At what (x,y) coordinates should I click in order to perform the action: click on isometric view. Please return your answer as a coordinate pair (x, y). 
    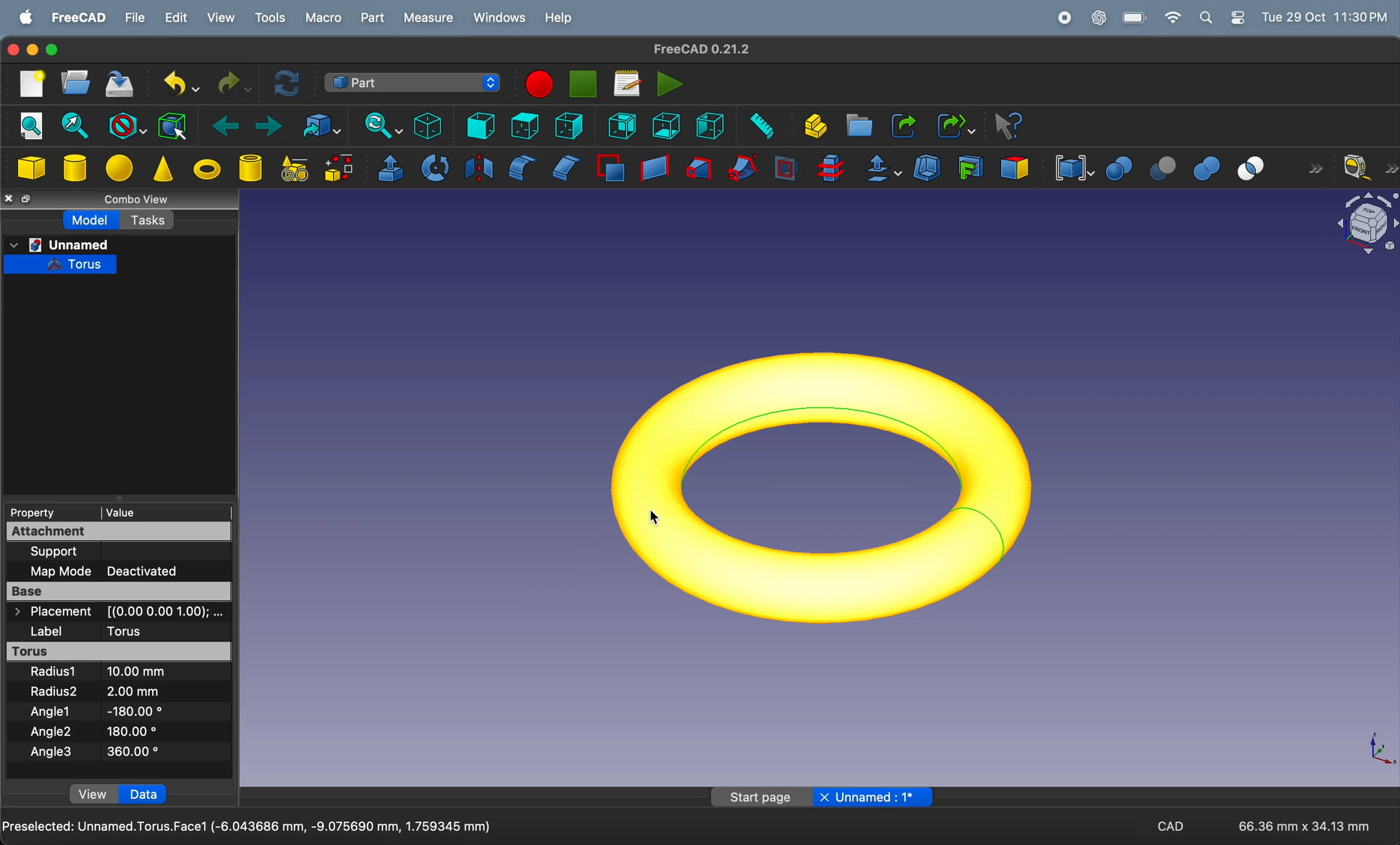
    Looking at the image, I should click on (429, 125).